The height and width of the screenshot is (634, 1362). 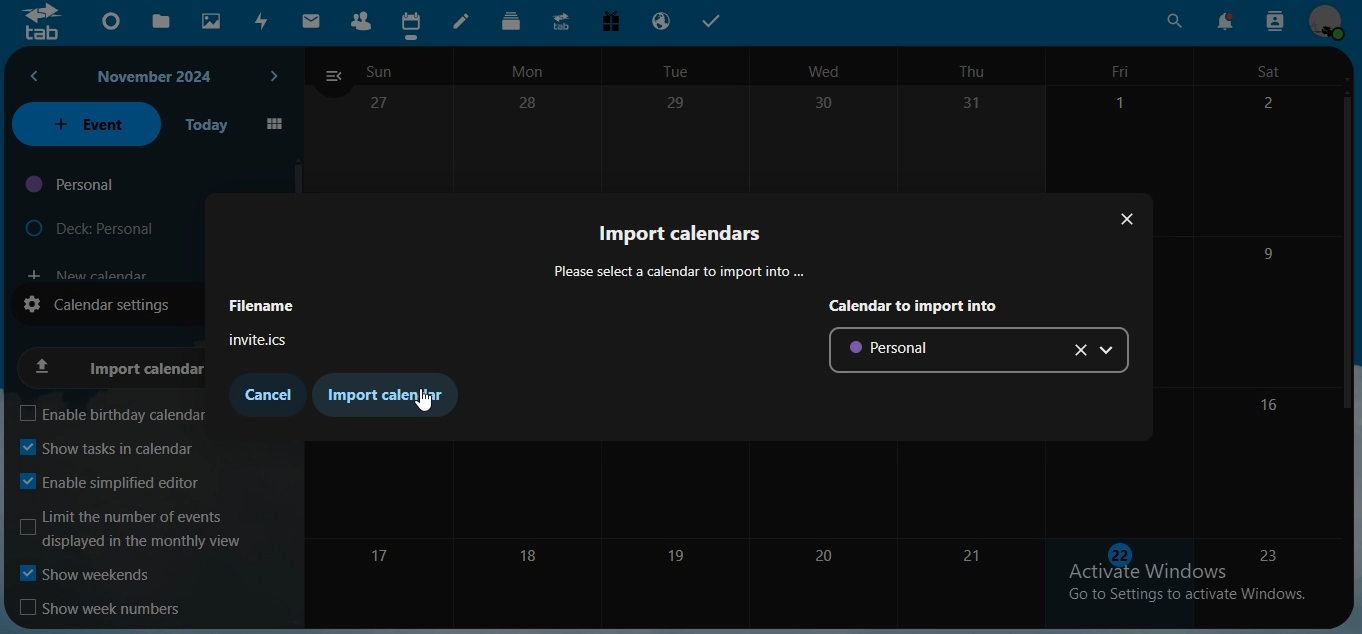 What do you see at coordinates (423, 406) in the screenshot?
I see `cursor` at bounding box center [423, 406].